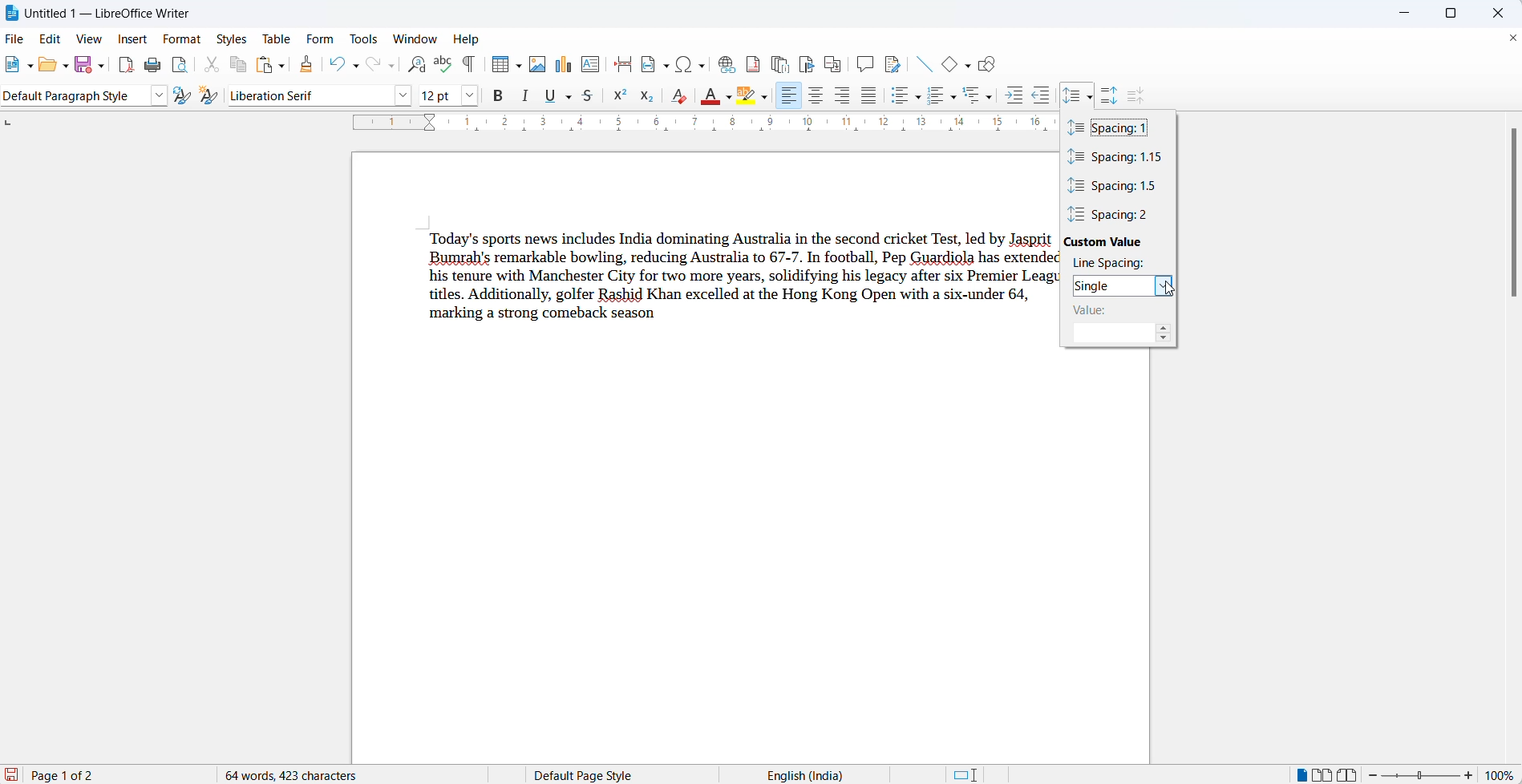 The image size is (1522, 784). I want to click on table, so click(277, 36).